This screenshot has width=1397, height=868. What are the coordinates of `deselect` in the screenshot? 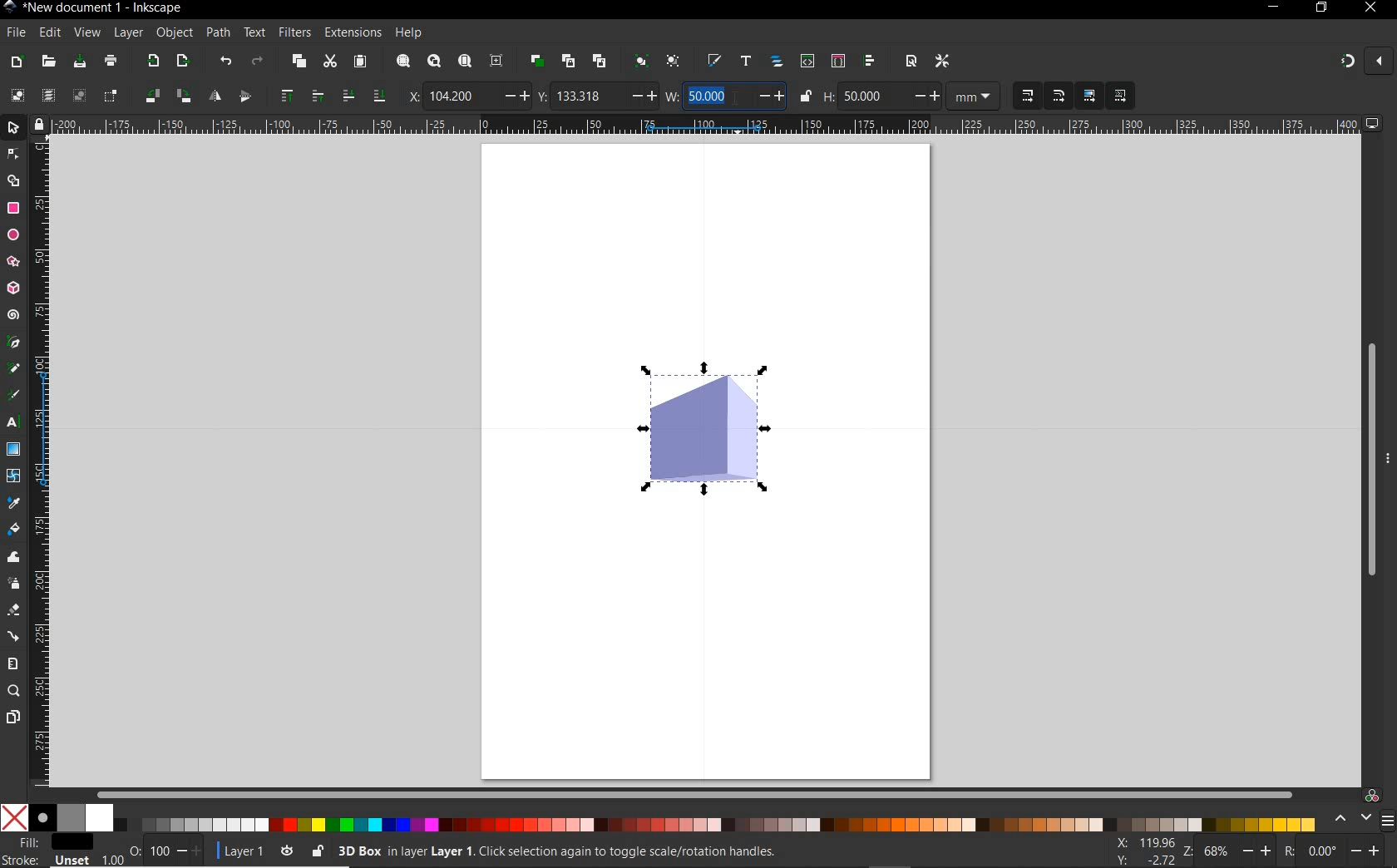 It's located at (78, 96).